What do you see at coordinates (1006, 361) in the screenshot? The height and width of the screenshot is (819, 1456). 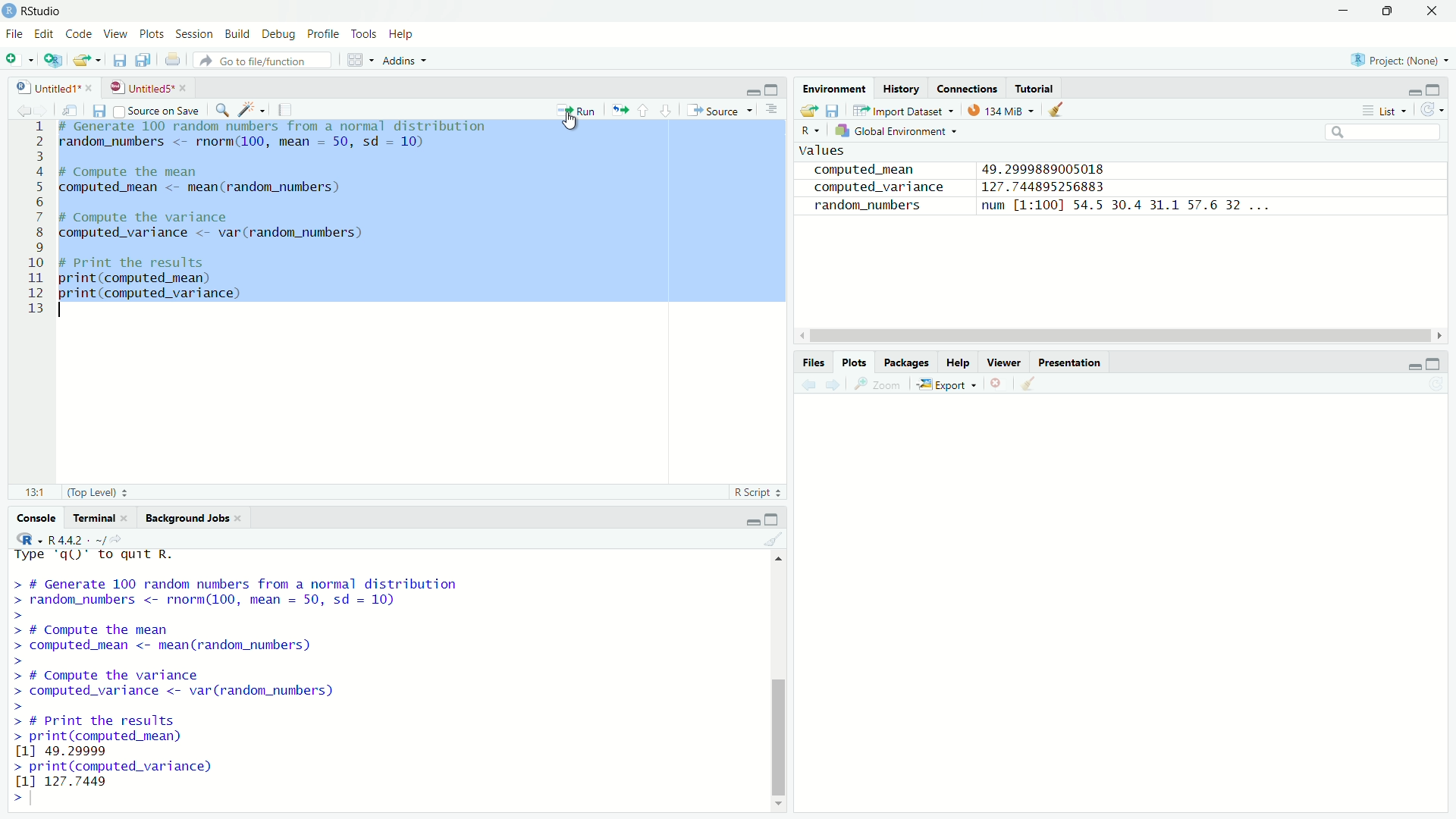 I see `viewer` at bounding box center [1006, 361].